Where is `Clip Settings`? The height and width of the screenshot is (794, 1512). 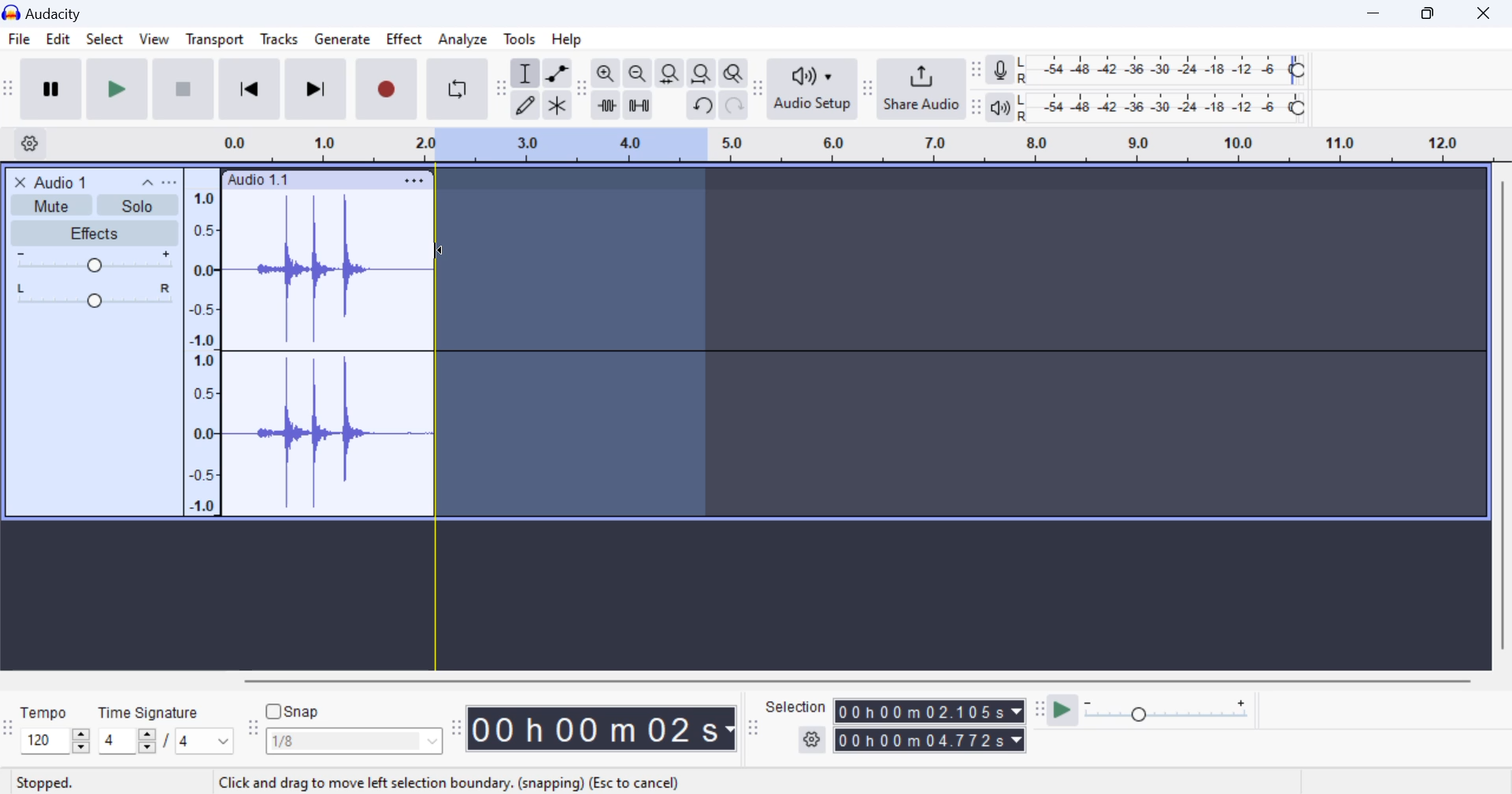
Clip Settings is located at coordinates (414, 180).